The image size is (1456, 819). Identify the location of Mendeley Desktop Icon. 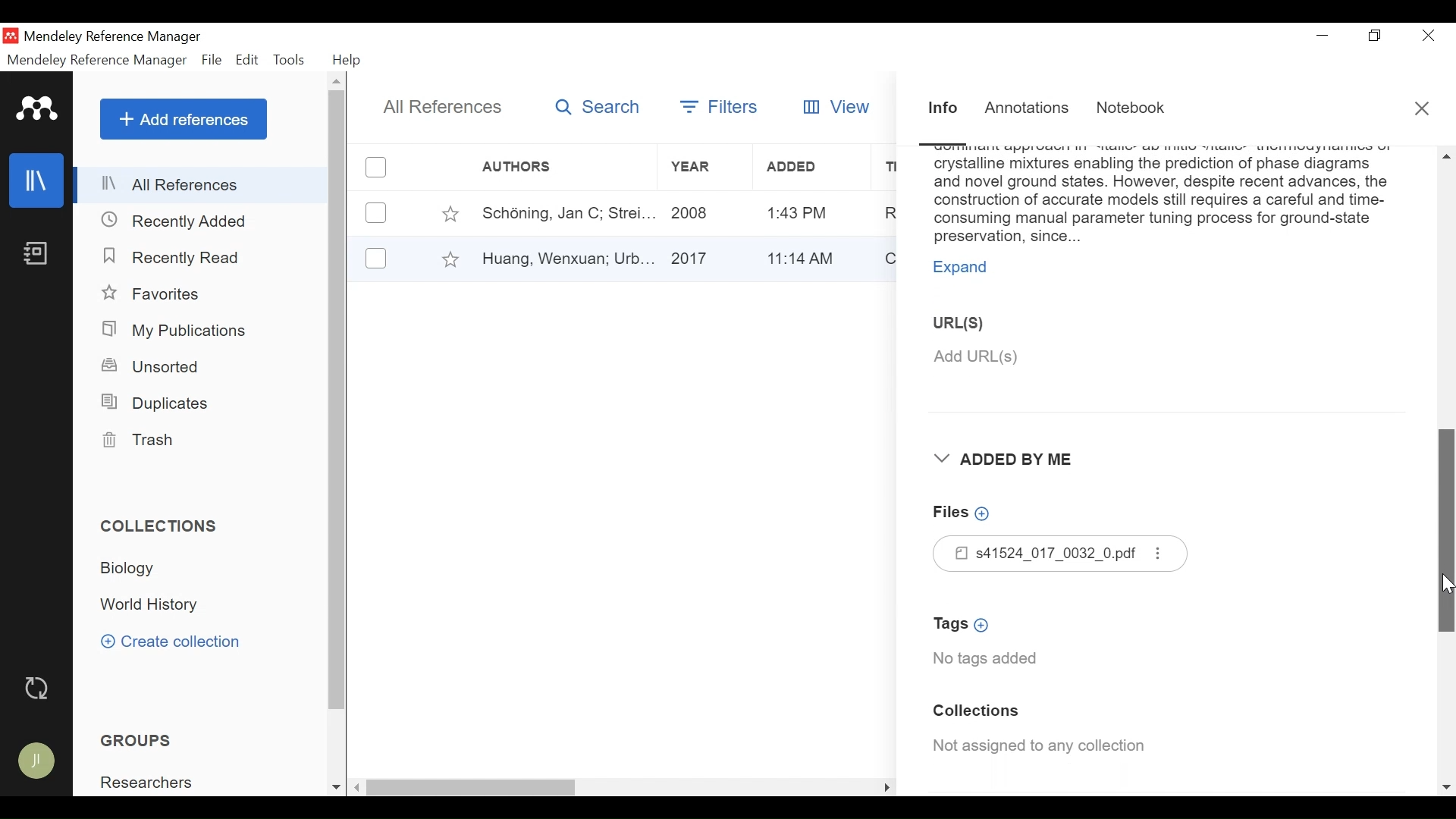
(10, 36).